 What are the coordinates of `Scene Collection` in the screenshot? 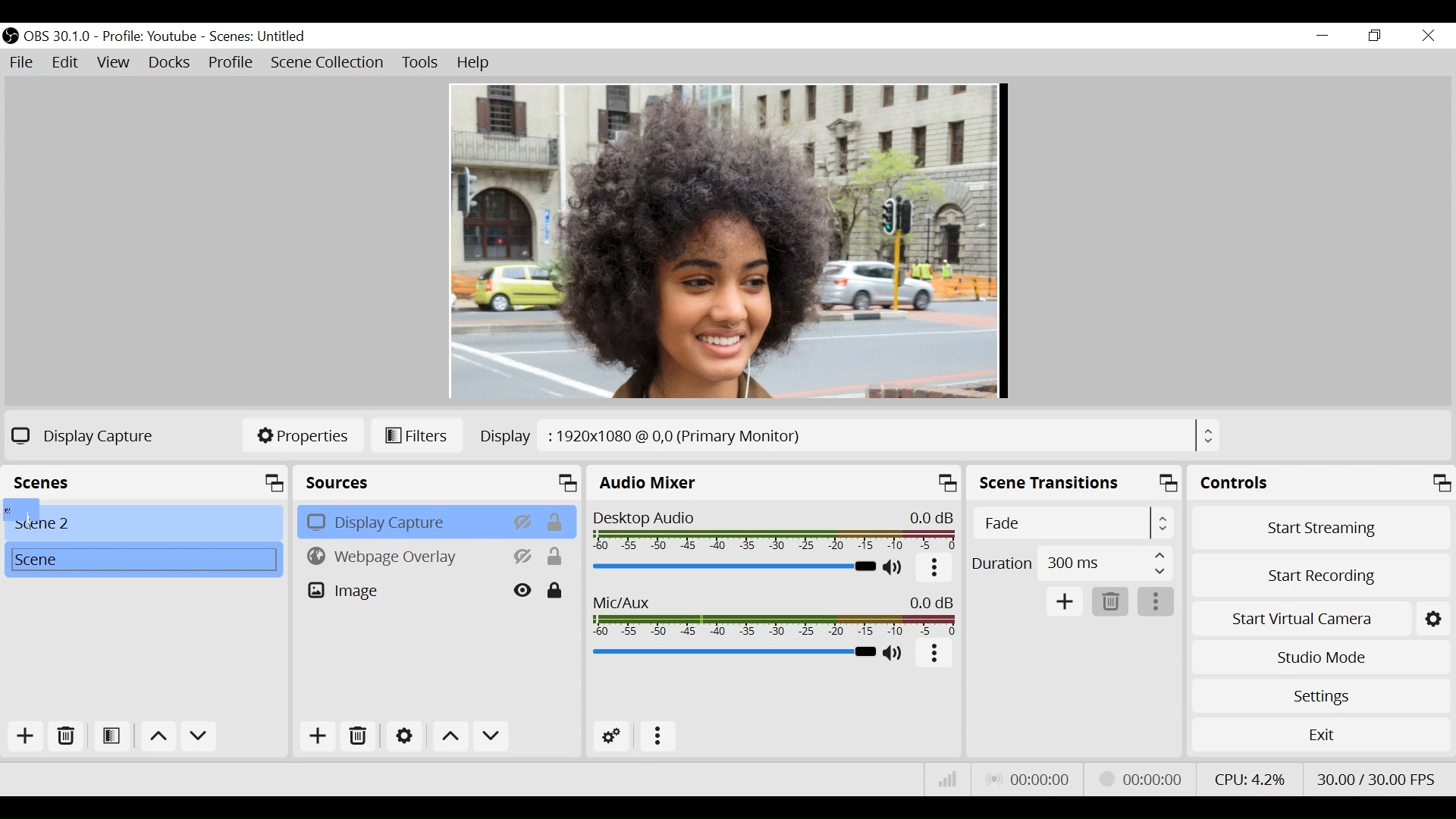 It's located at (328, 63).